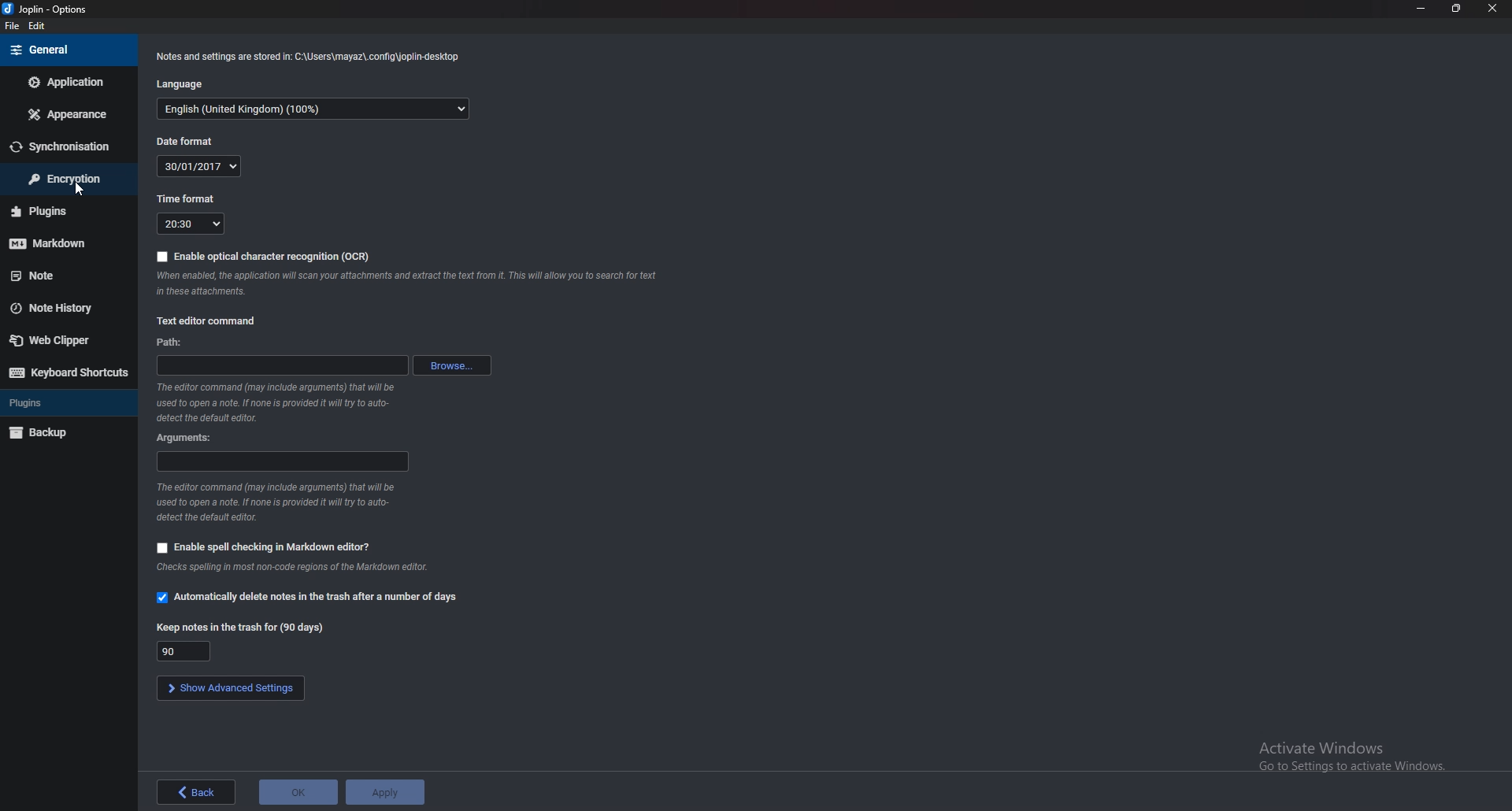 This screenshot has height=811, width=1512. Describe the element at coordinates (65, 115) in the screenshot. I see `appearance` at that location.